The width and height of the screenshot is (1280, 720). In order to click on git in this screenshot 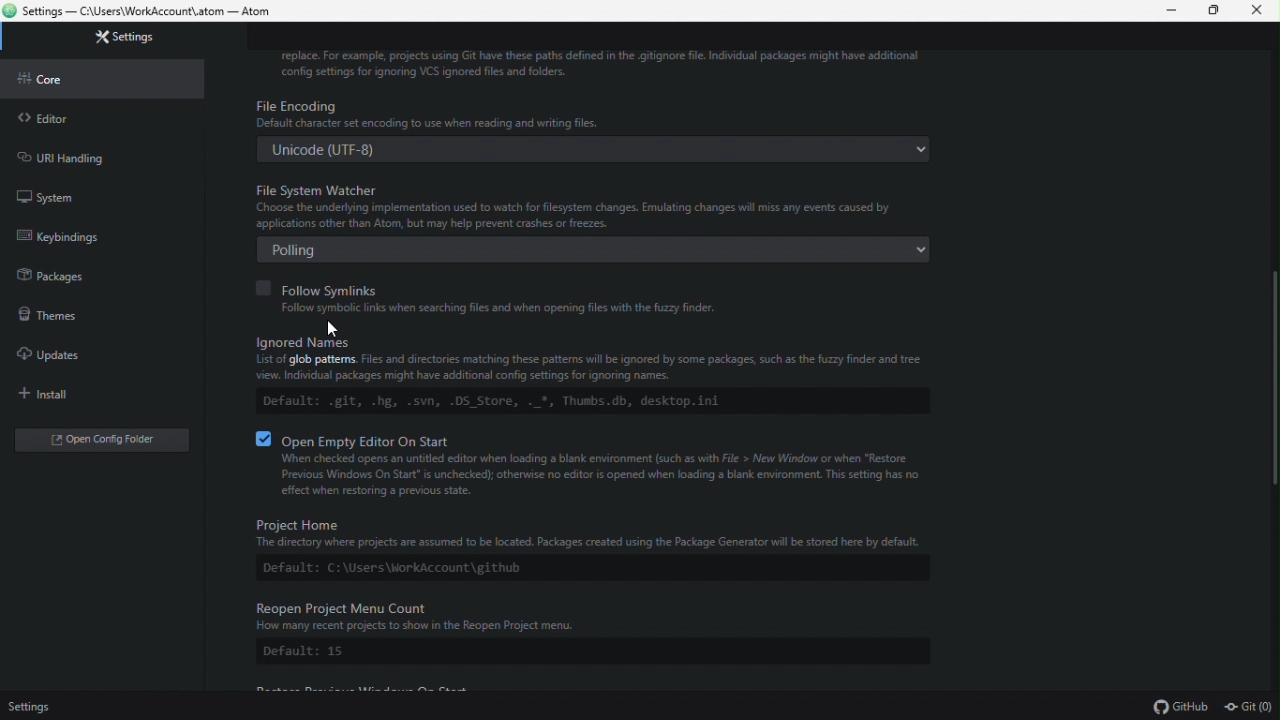, I will do `click(1250, 708)`.